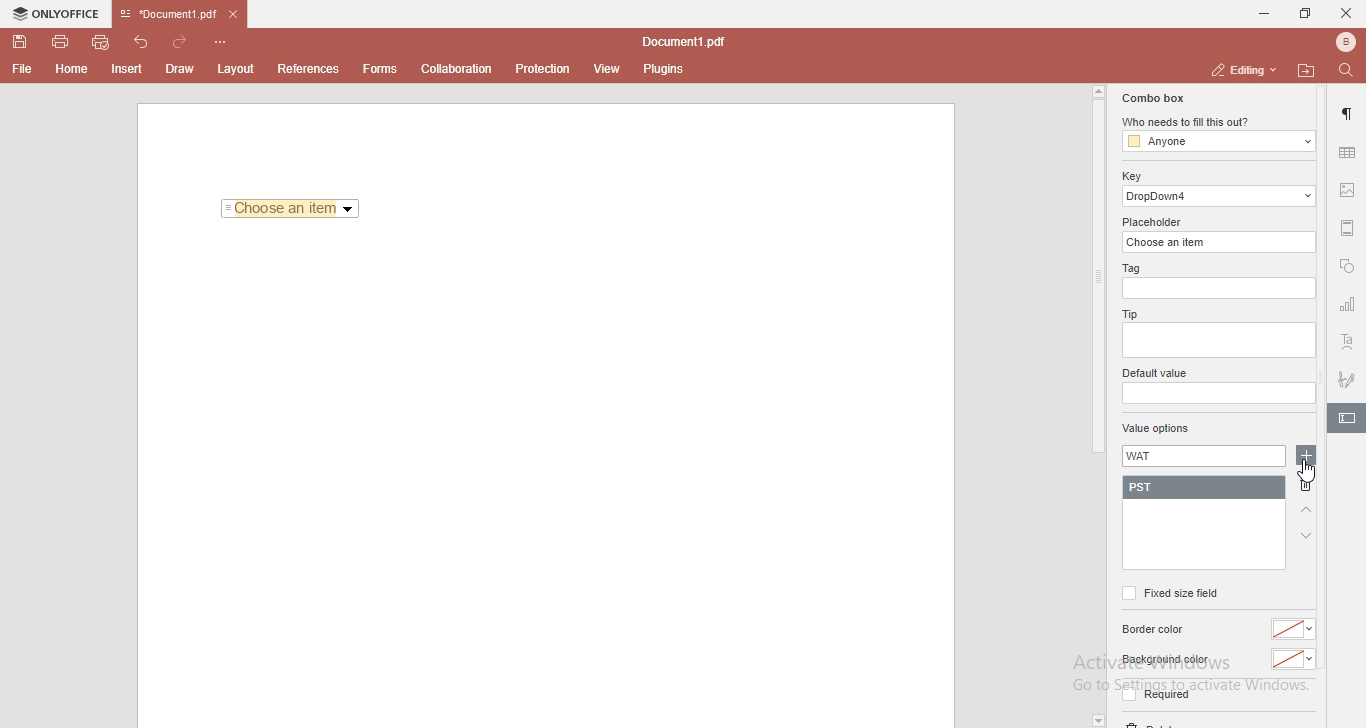 The width and height of the screenshot is (1366, 728). Describe the element at coordinates (184, 68) in the screenshot. I see `Draw` at that location.